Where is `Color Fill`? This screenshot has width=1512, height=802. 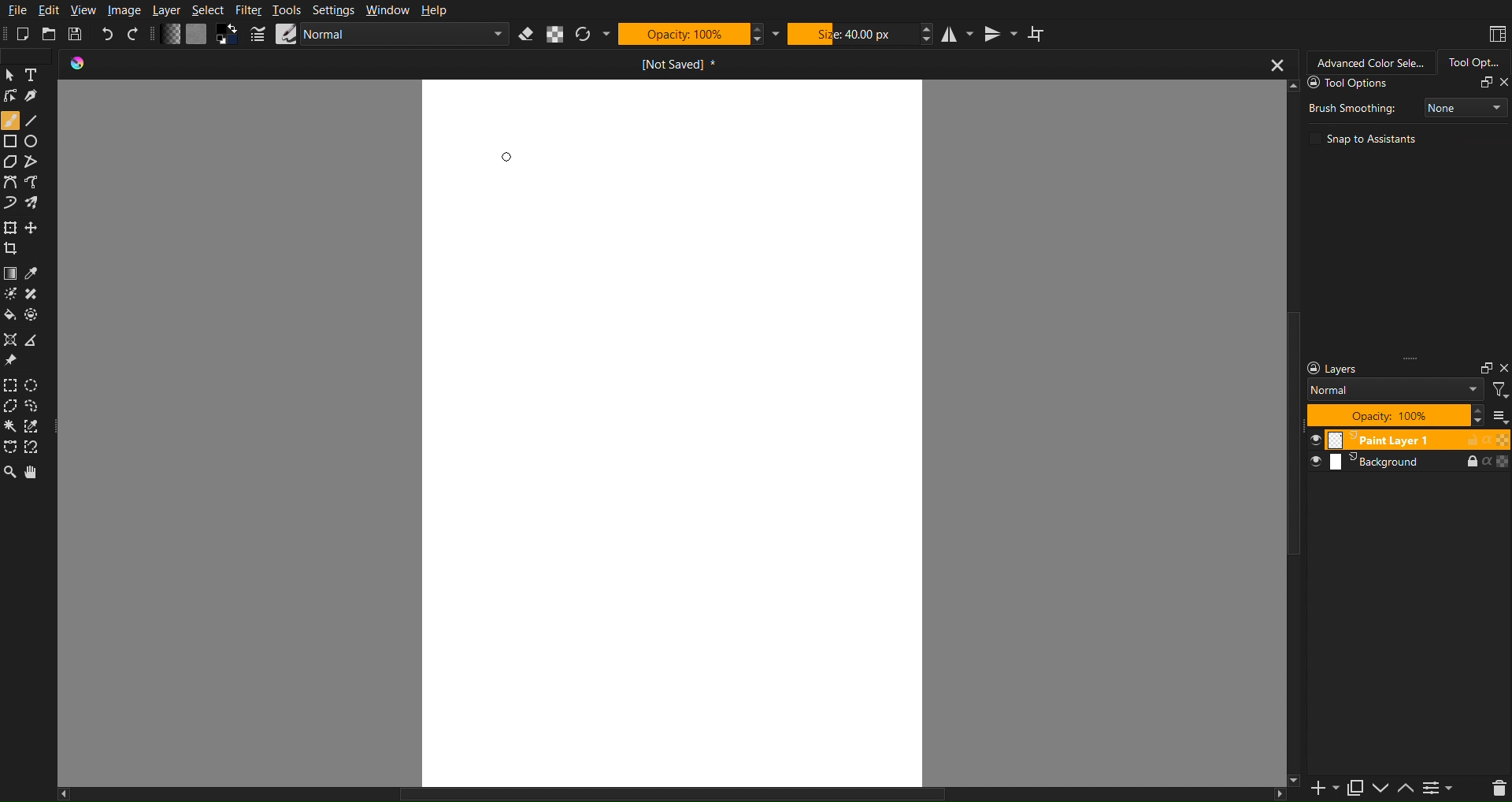
Color Fill is located at coordinates (11, 314).